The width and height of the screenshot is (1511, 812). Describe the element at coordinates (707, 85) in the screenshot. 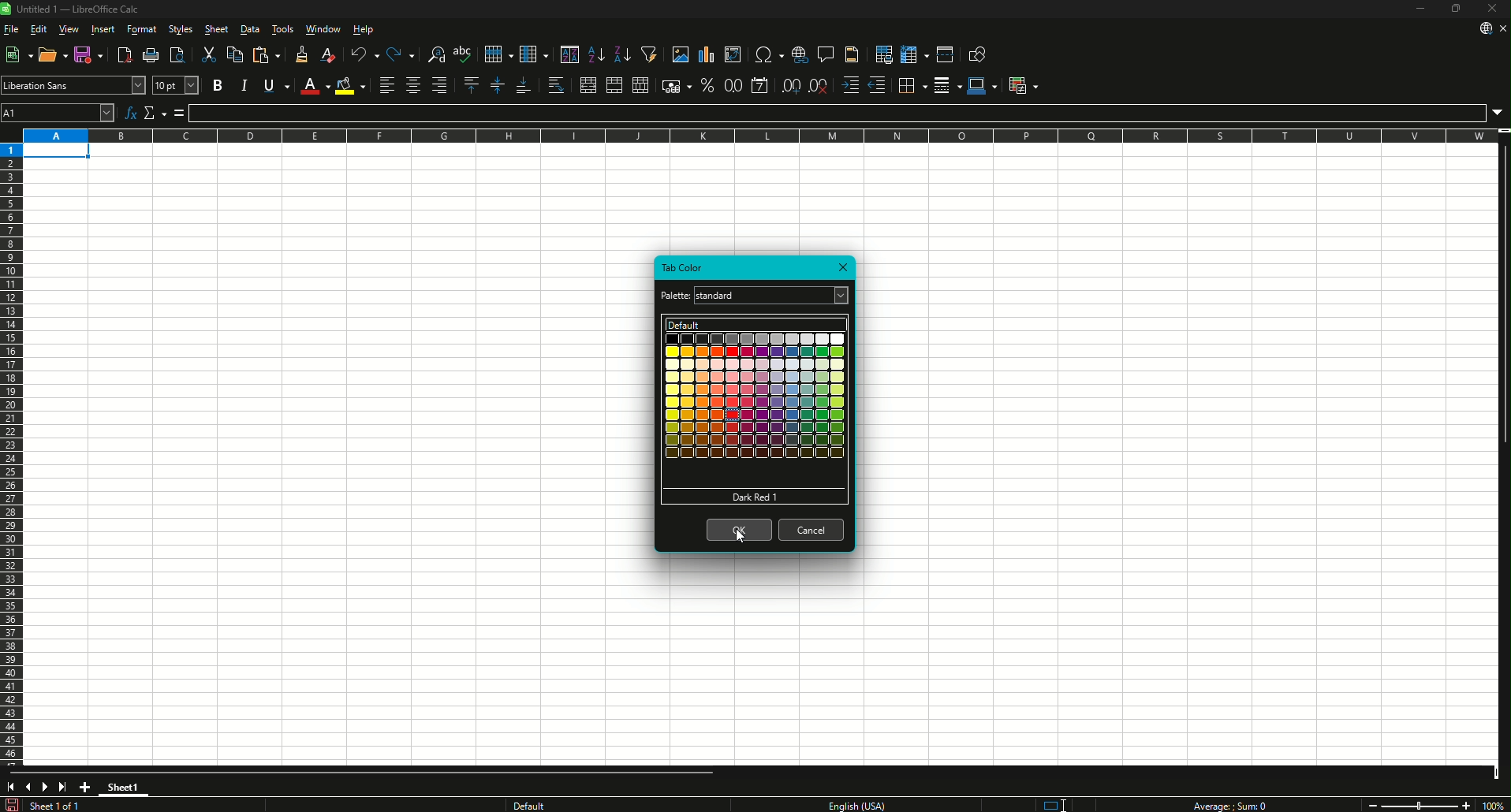

I see `Format as Percentage` at that location.